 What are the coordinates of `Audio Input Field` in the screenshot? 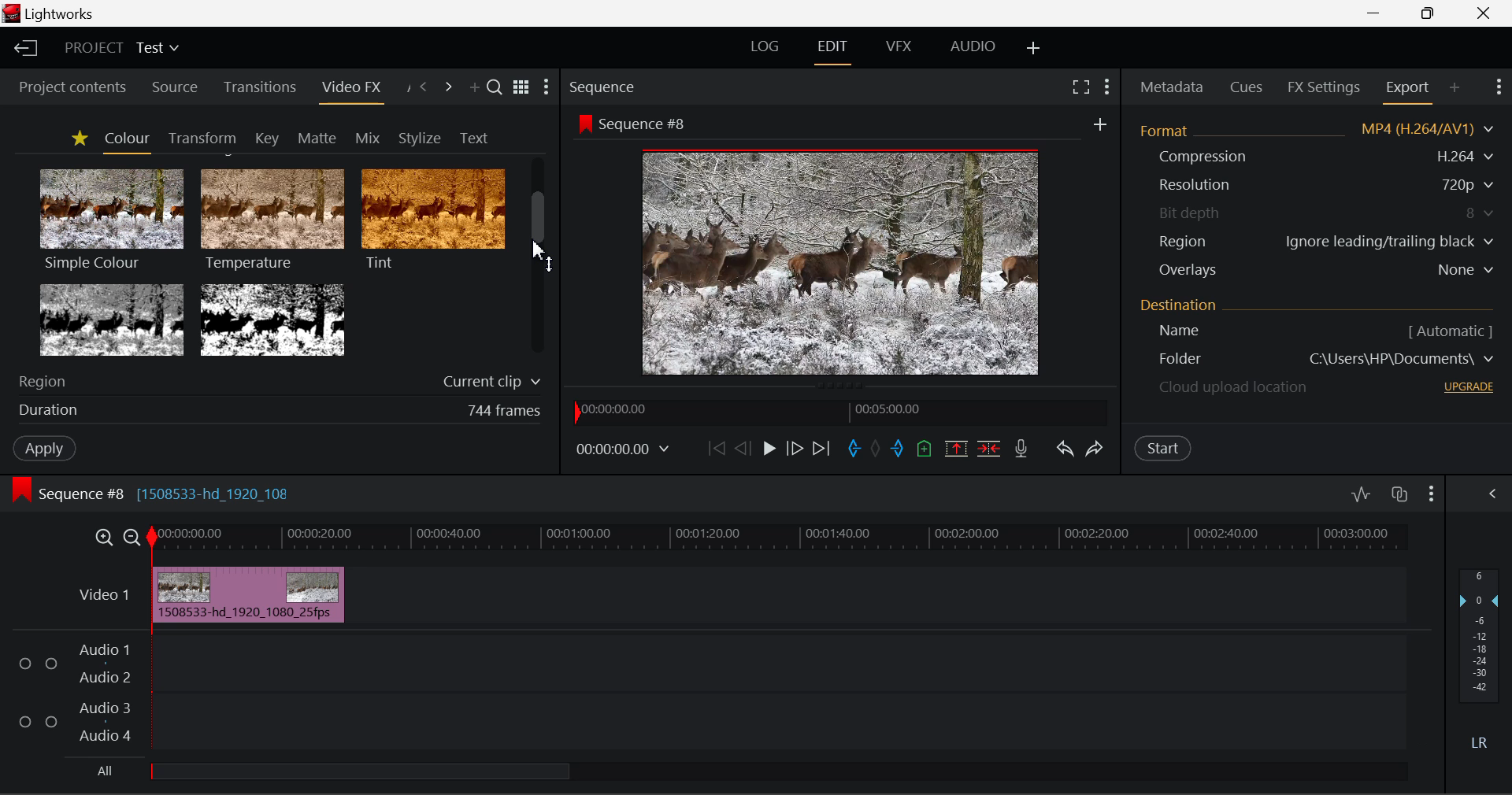 It's located at (772, 691).